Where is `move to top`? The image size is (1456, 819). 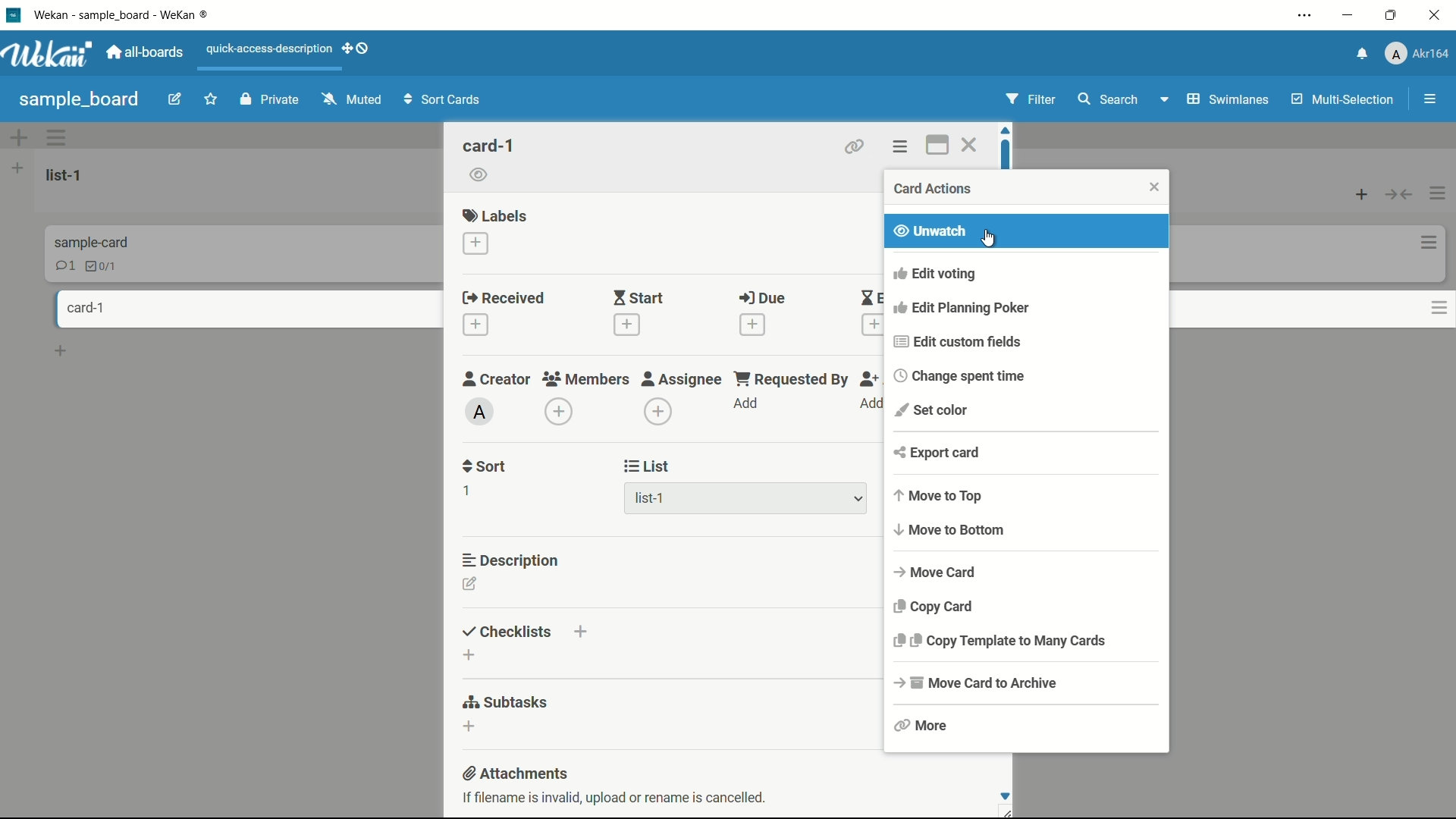
move to top is located at coordinates (940, 495).